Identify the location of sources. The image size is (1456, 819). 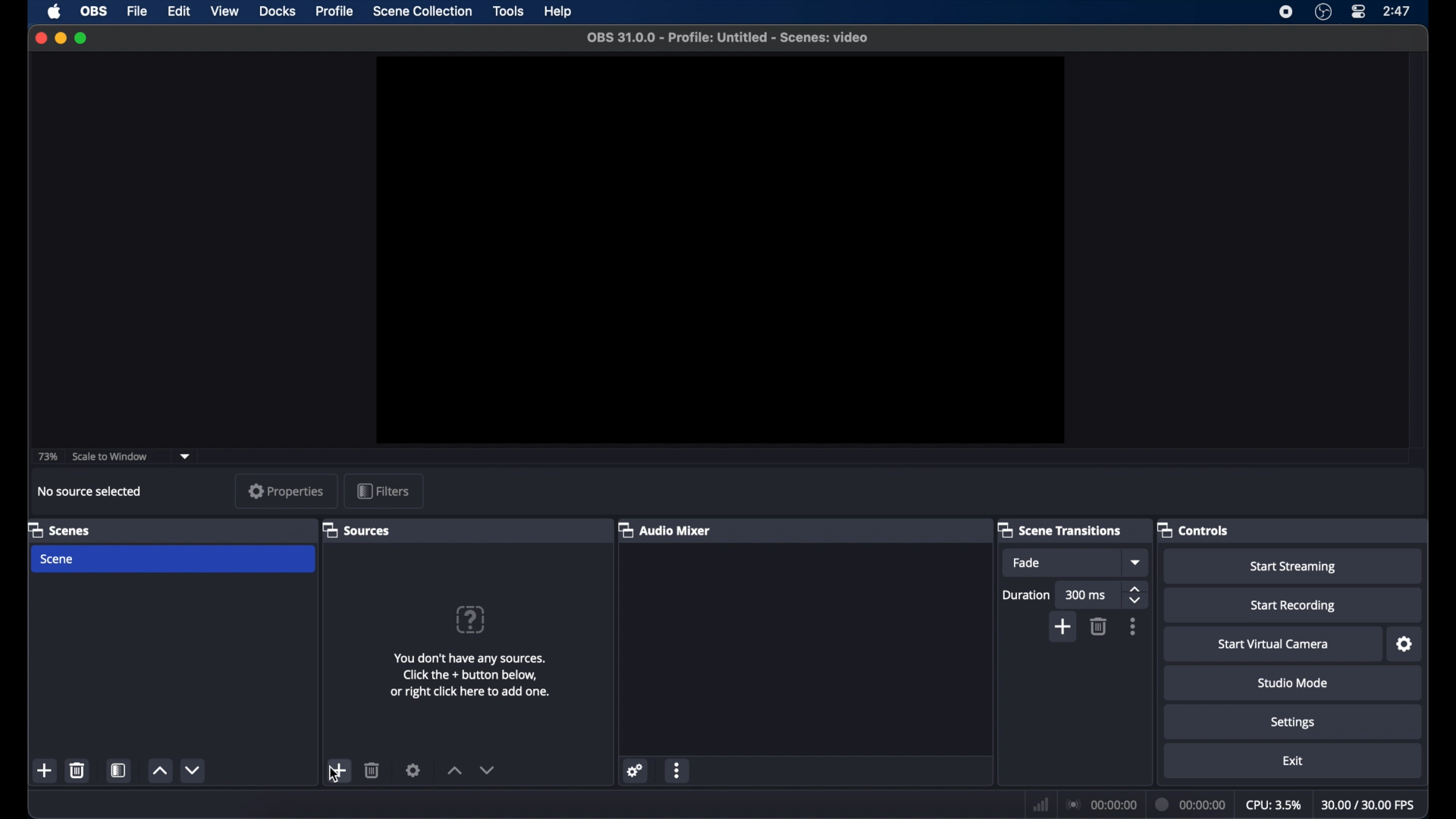
(358, 529).